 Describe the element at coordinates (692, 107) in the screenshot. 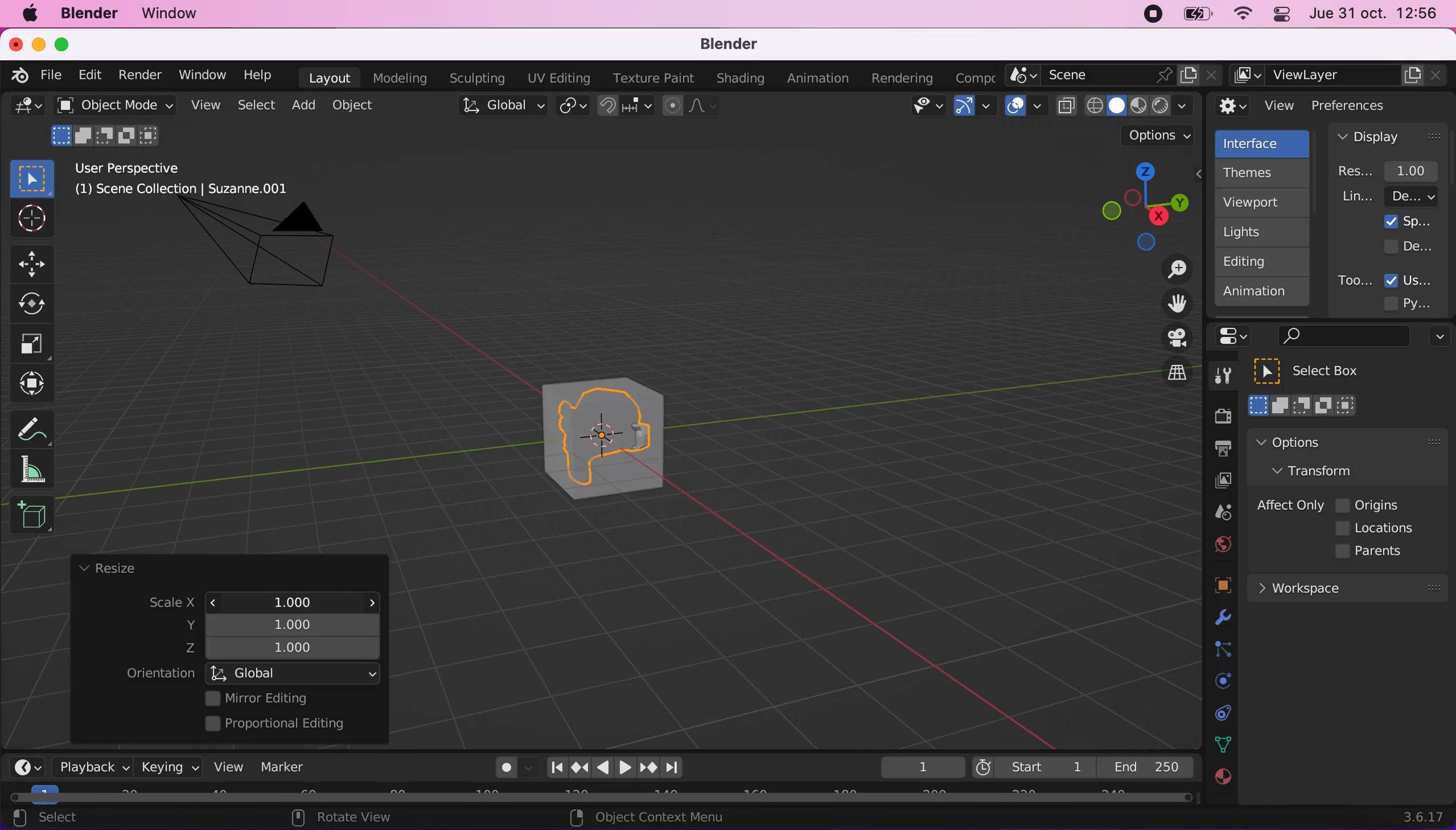

I see `proportional editing objects` at that location.